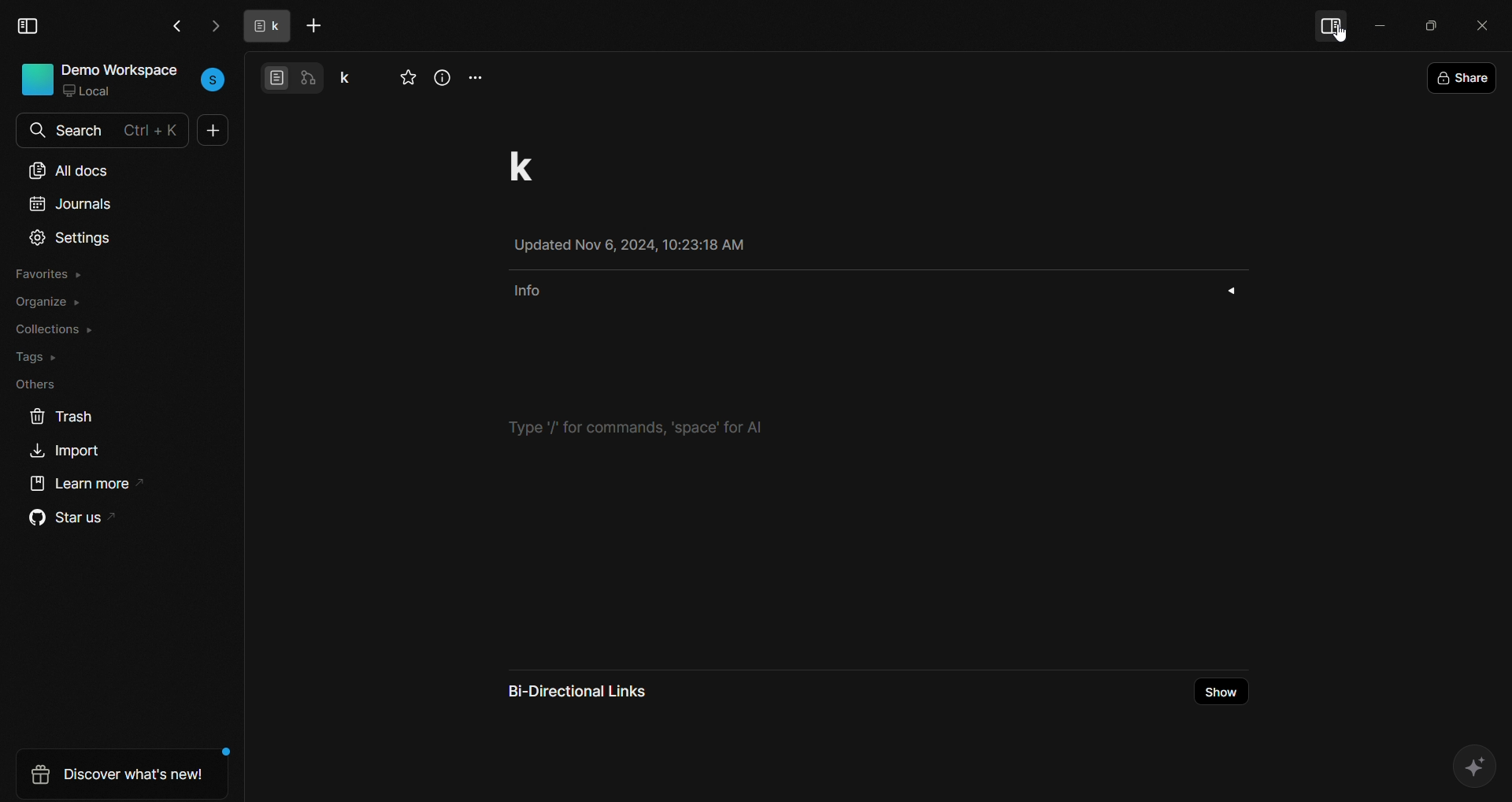 This screenshot has height=802, width=1512. What do you see at coordinates (30, 26) in the screenshot?
I see `view sidebar` at bounding box center [30, 26].